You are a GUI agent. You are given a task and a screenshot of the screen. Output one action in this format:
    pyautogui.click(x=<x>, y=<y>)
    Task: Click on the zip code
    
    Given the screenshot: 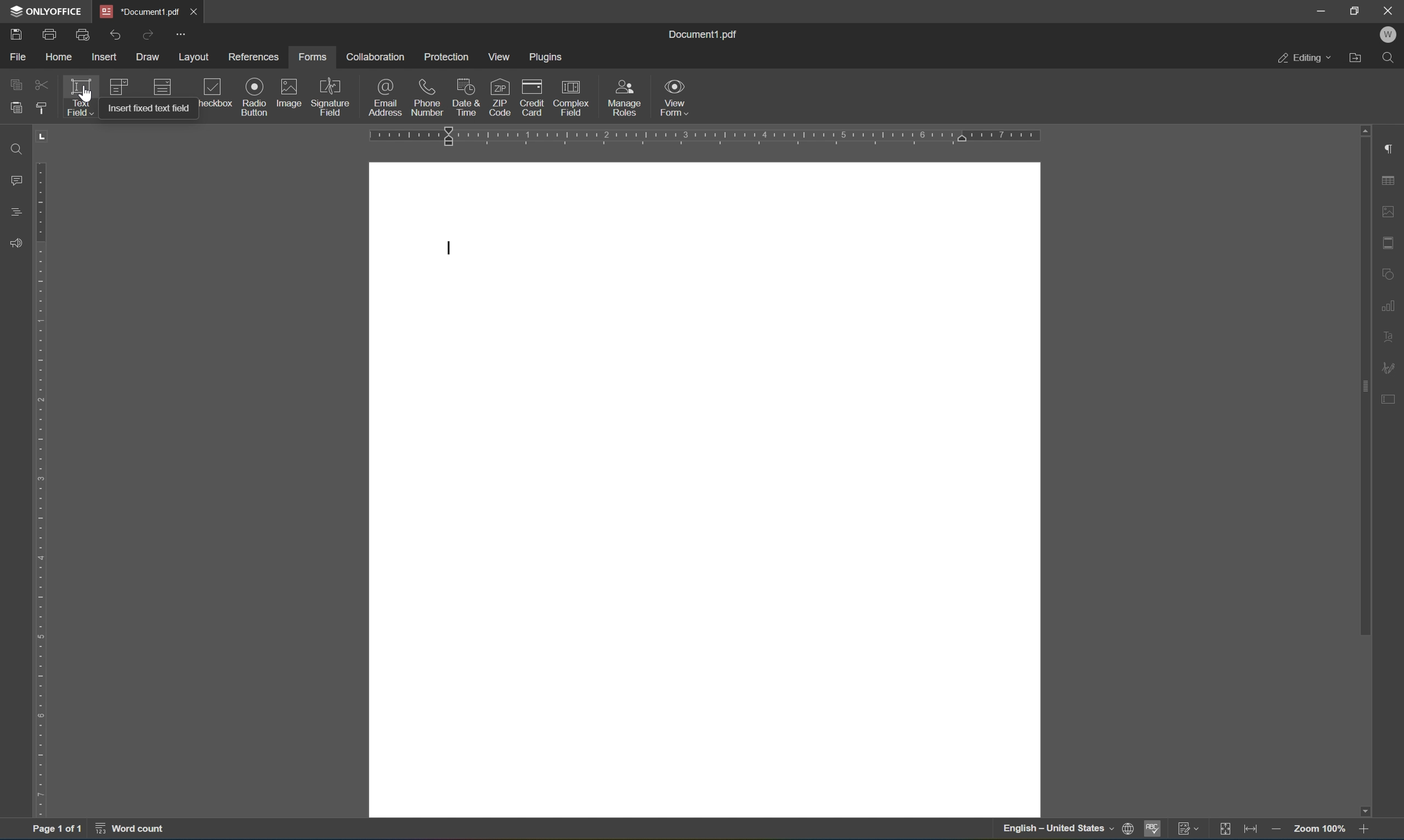 What is the action you would take?
    pyautogui.click(x=500, y=97)
    